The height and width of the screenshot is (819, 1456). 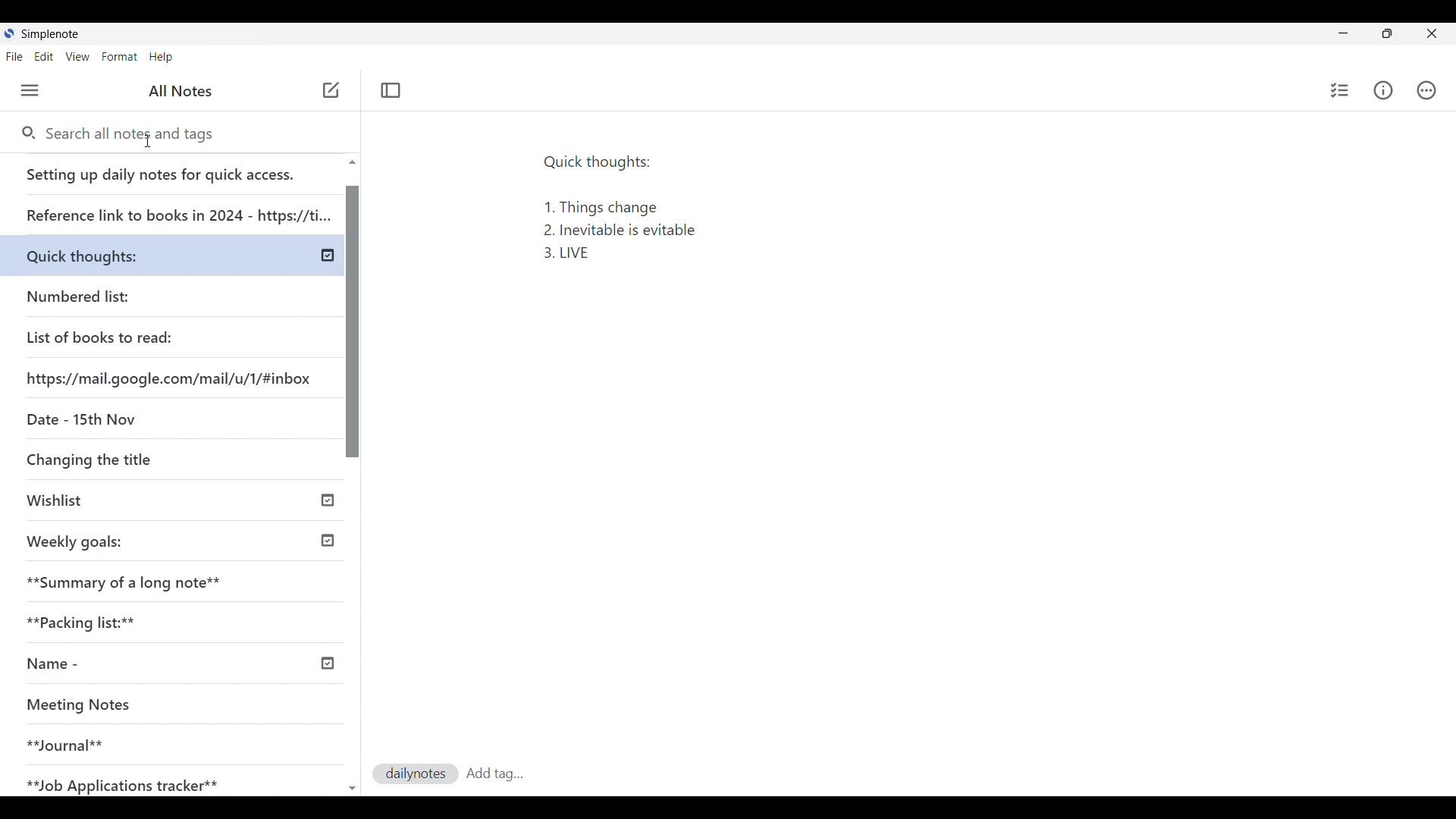 What do you see at coordinates (326, 664) in the screenshot?
I see `published` at bounding box center [326, 664].